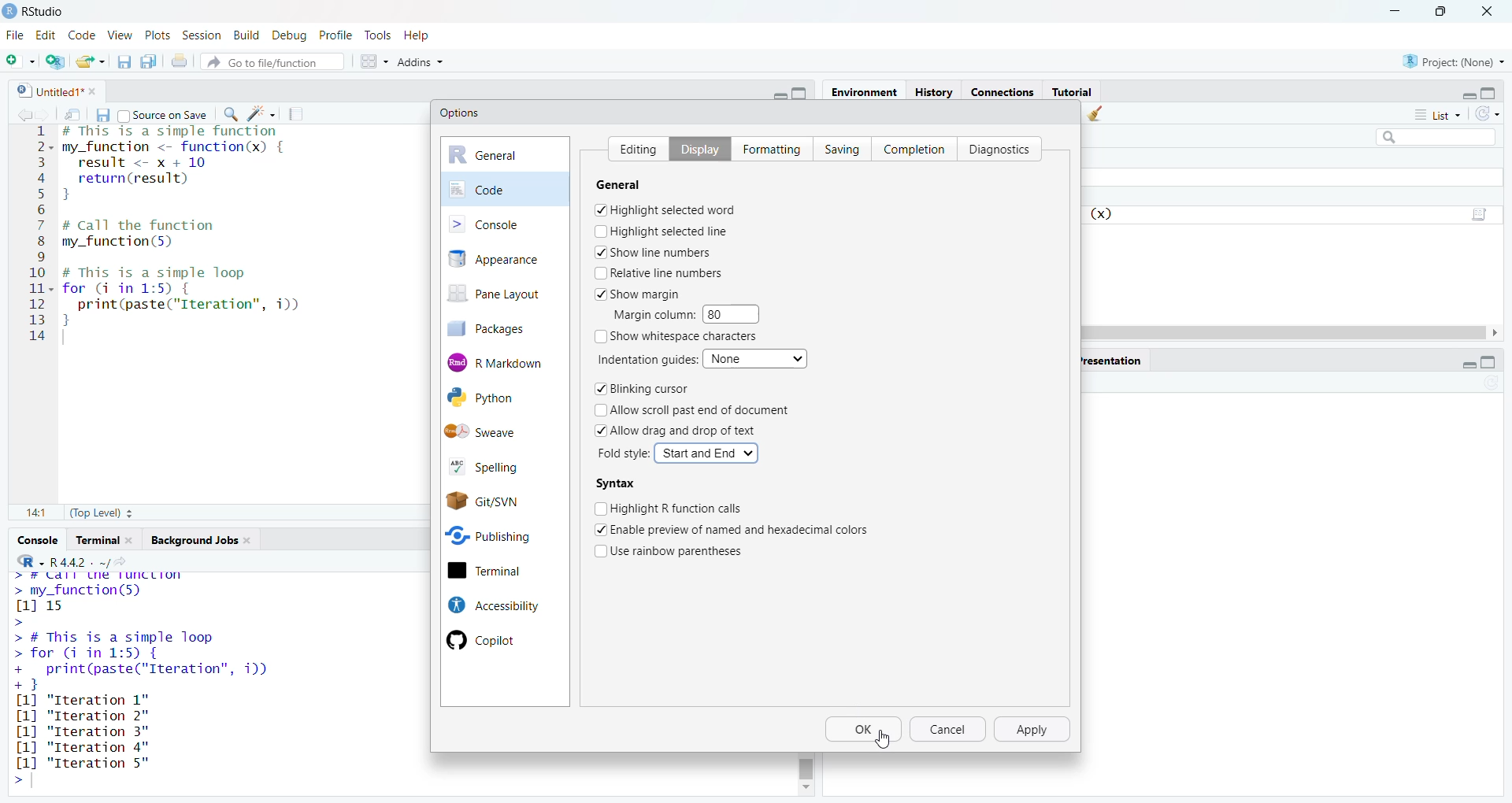 This screenshot has height=803, width=1512. I want to click on typing cursor, so click(69, 339).